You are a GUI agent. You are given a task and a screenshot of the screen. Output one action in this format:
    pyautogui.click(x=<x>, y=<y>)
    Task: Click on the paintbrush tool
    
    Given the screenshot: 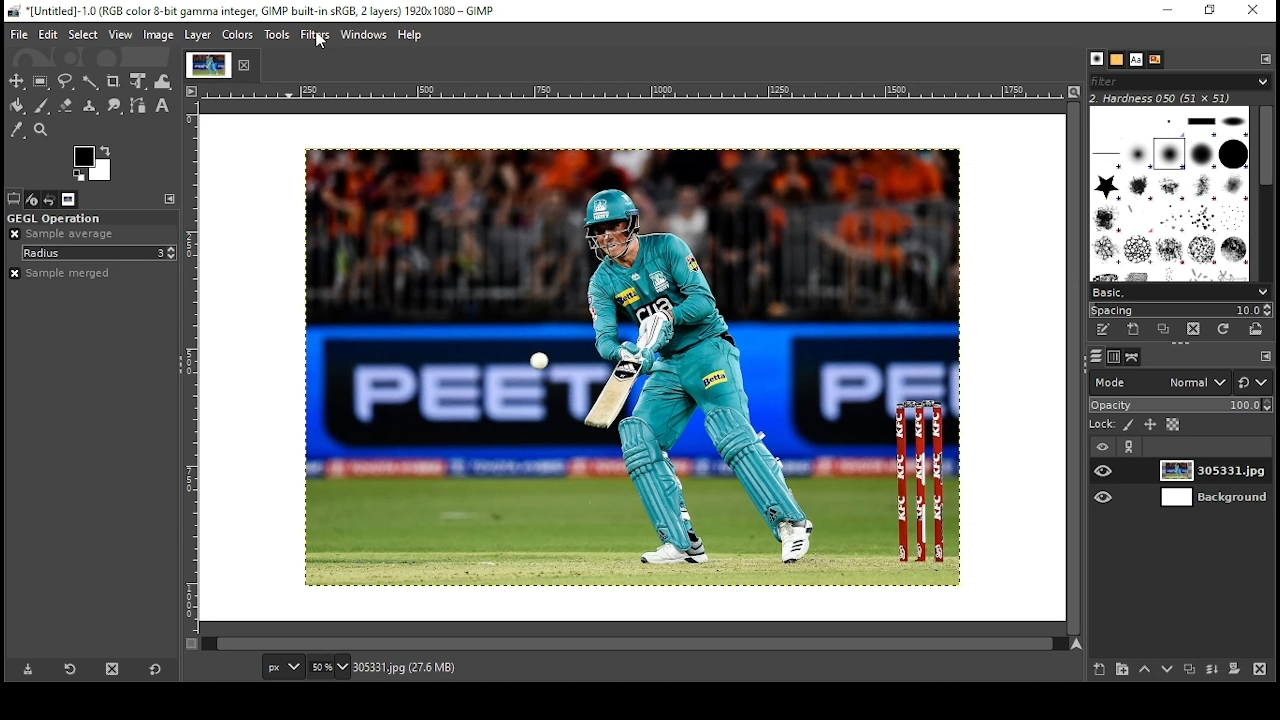 What is the action you would take?
    pyautogui.click(x=42, y=106)
    